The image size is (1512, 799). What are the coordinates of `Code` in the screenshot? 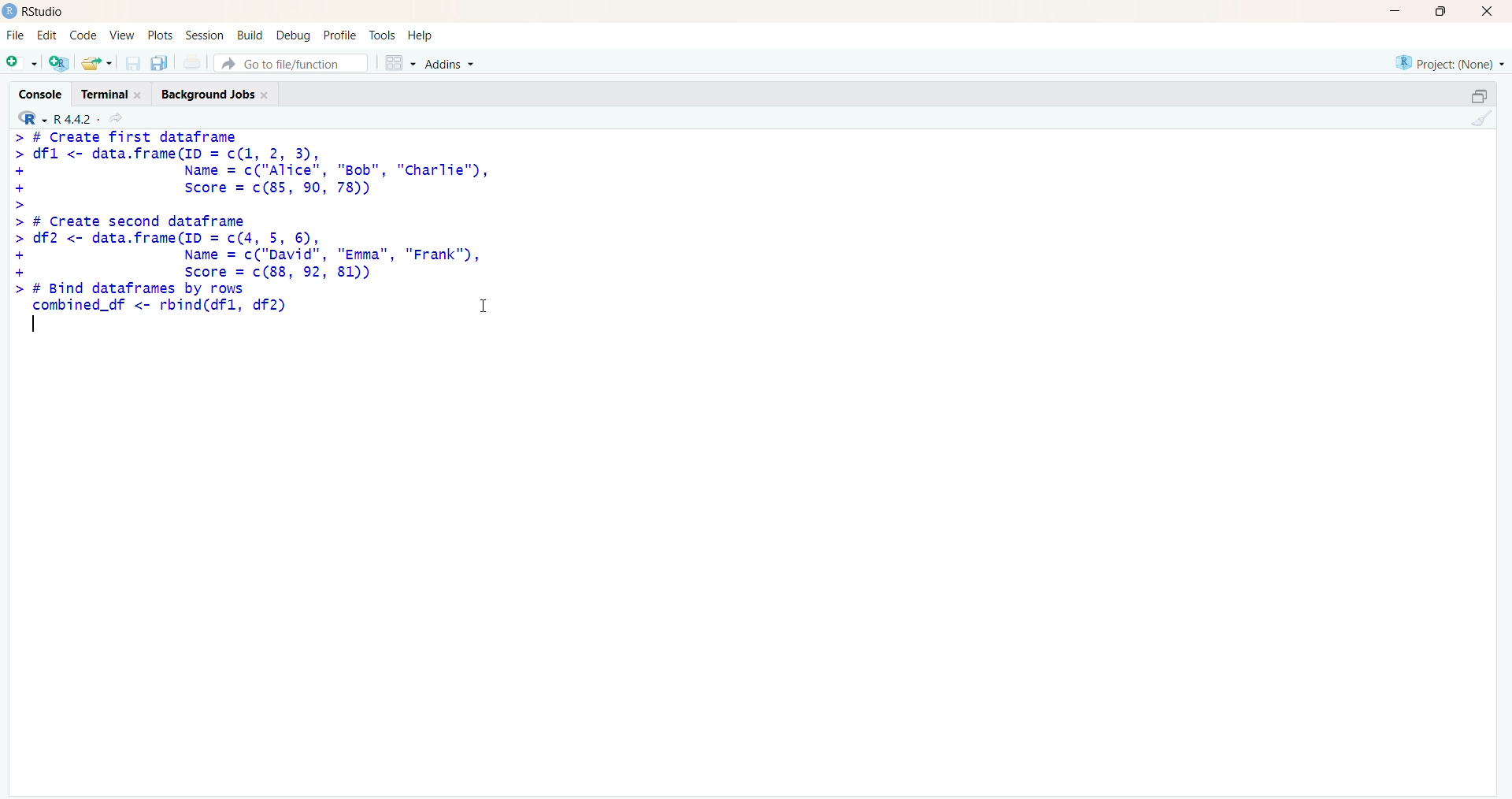 It's located at (83, 35).